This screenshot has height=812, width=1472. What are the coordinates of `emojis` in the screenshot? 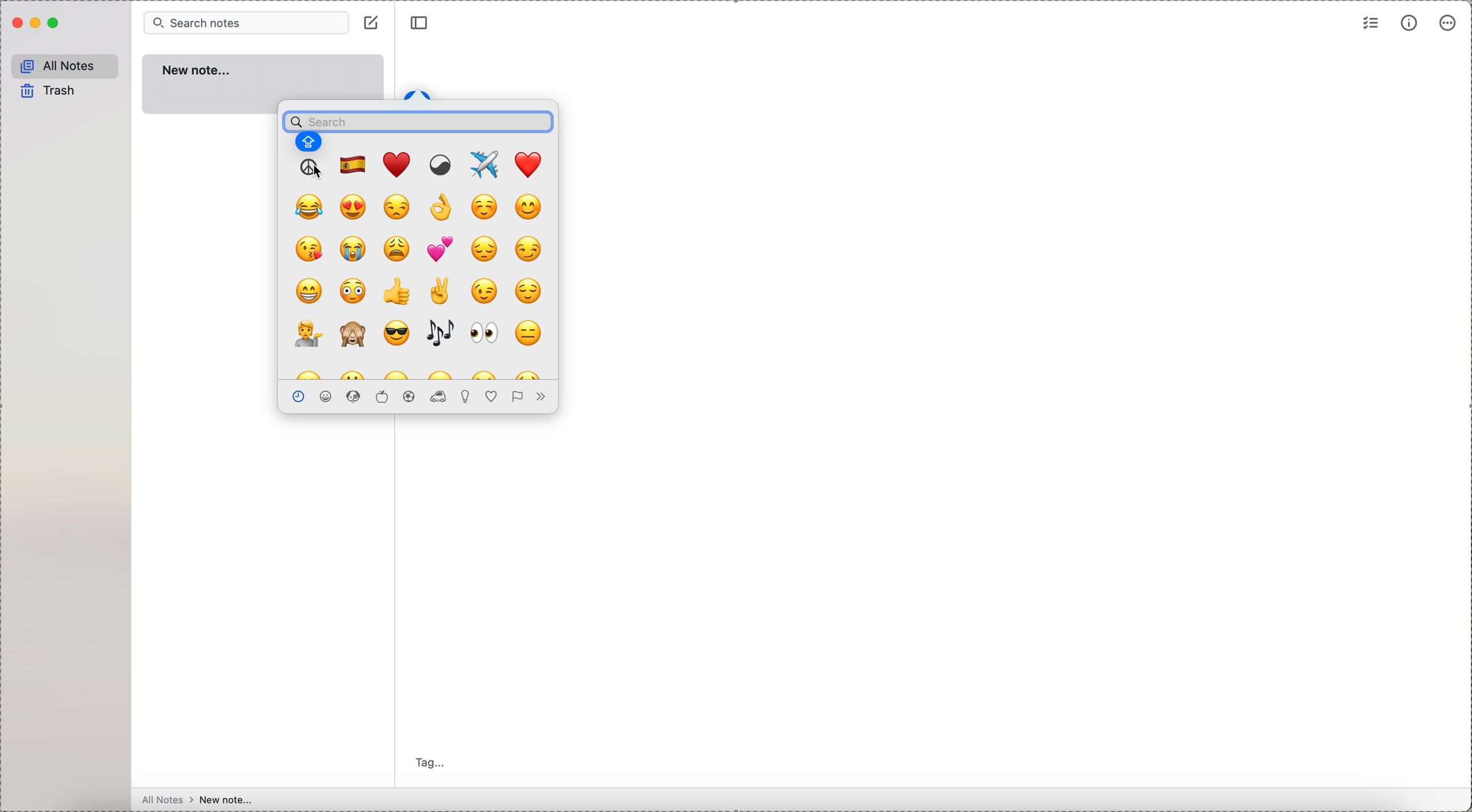 It's located at (327, 396).